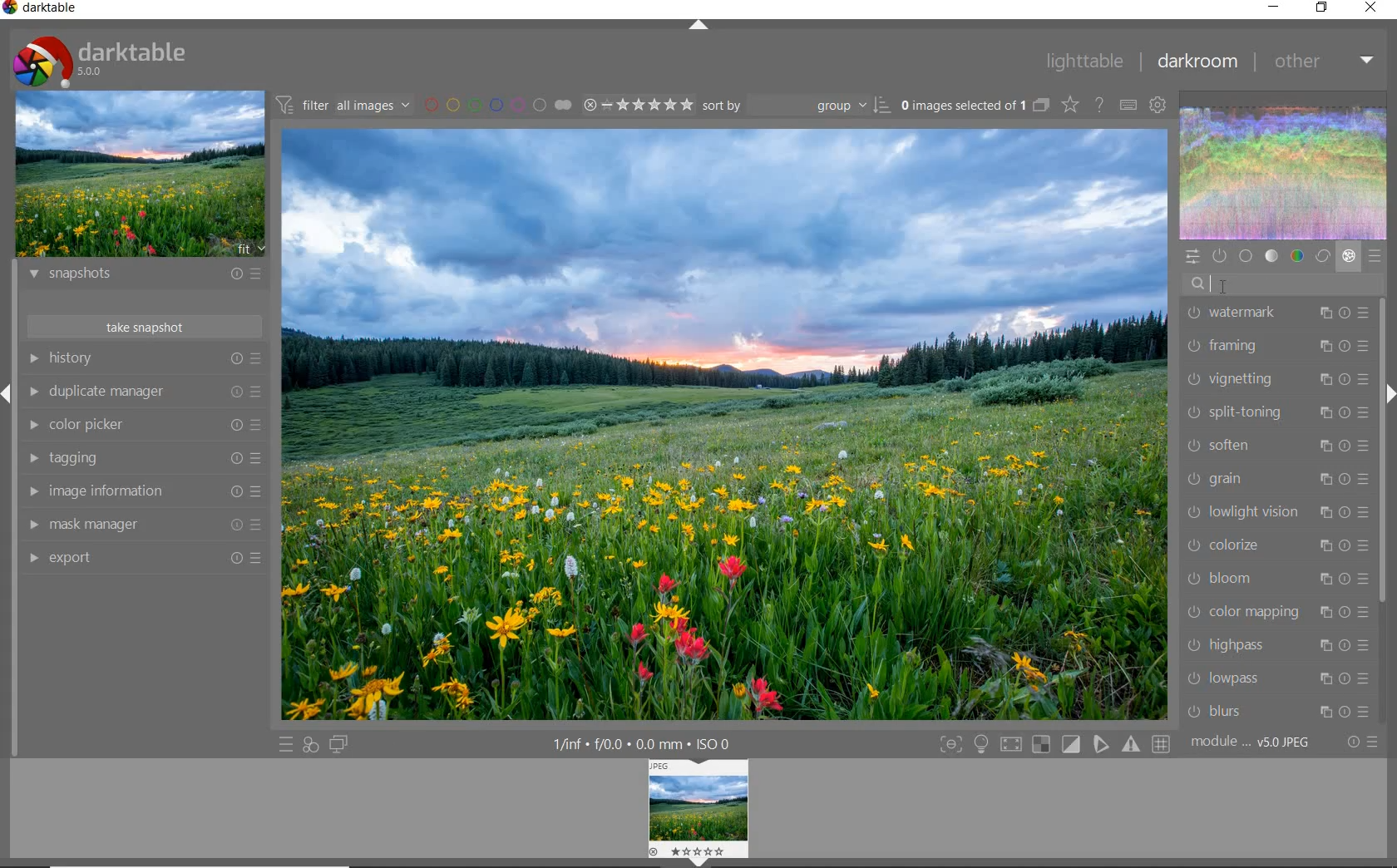 This screenshot has width=1397, height=868. Describe the element at coordinates (146, 277) in the screenshot. I see `snapshots` at that location.